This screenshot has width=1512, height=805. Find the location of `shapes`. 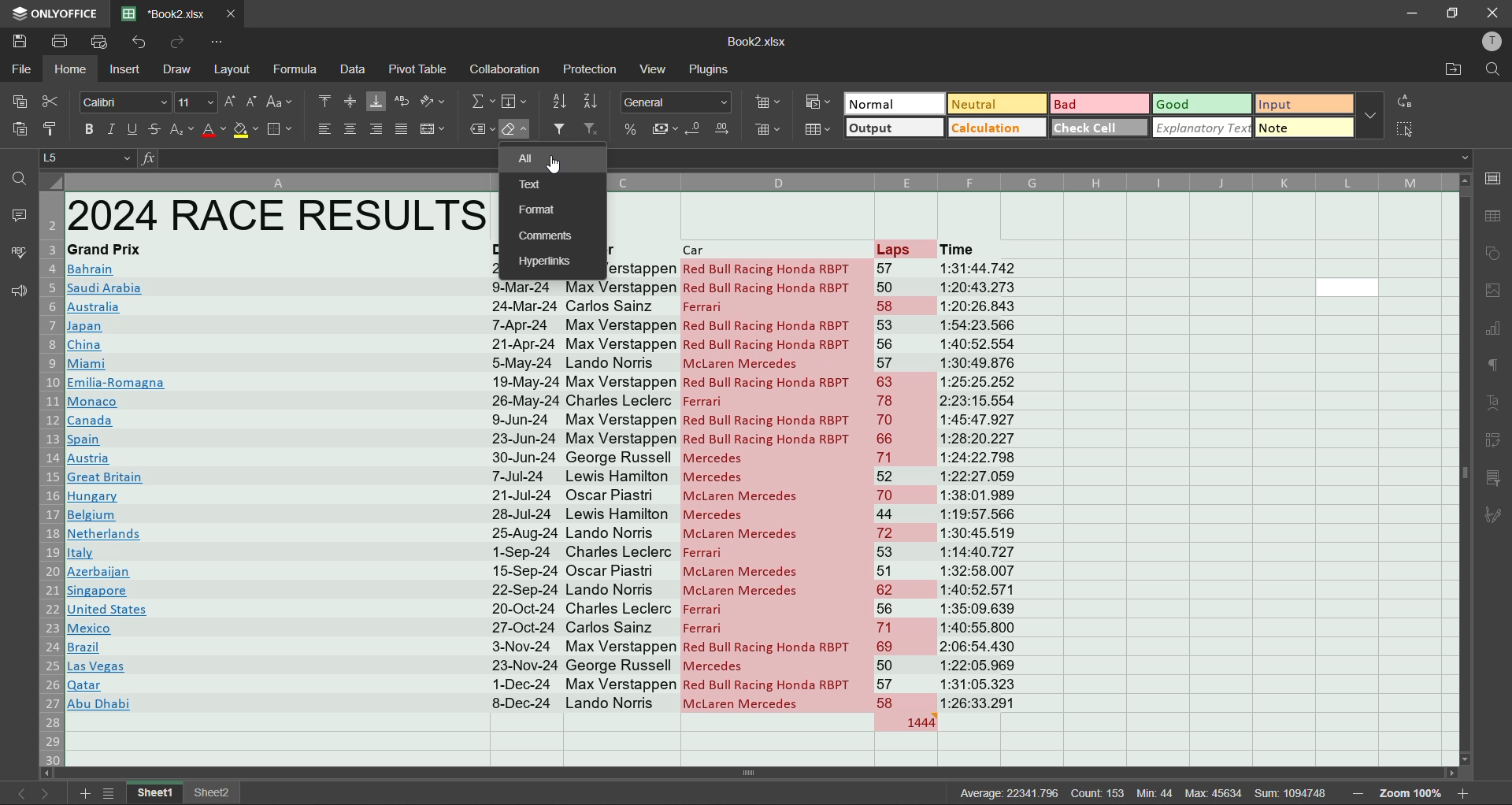

shapes is located at coordinates (1495, 256).